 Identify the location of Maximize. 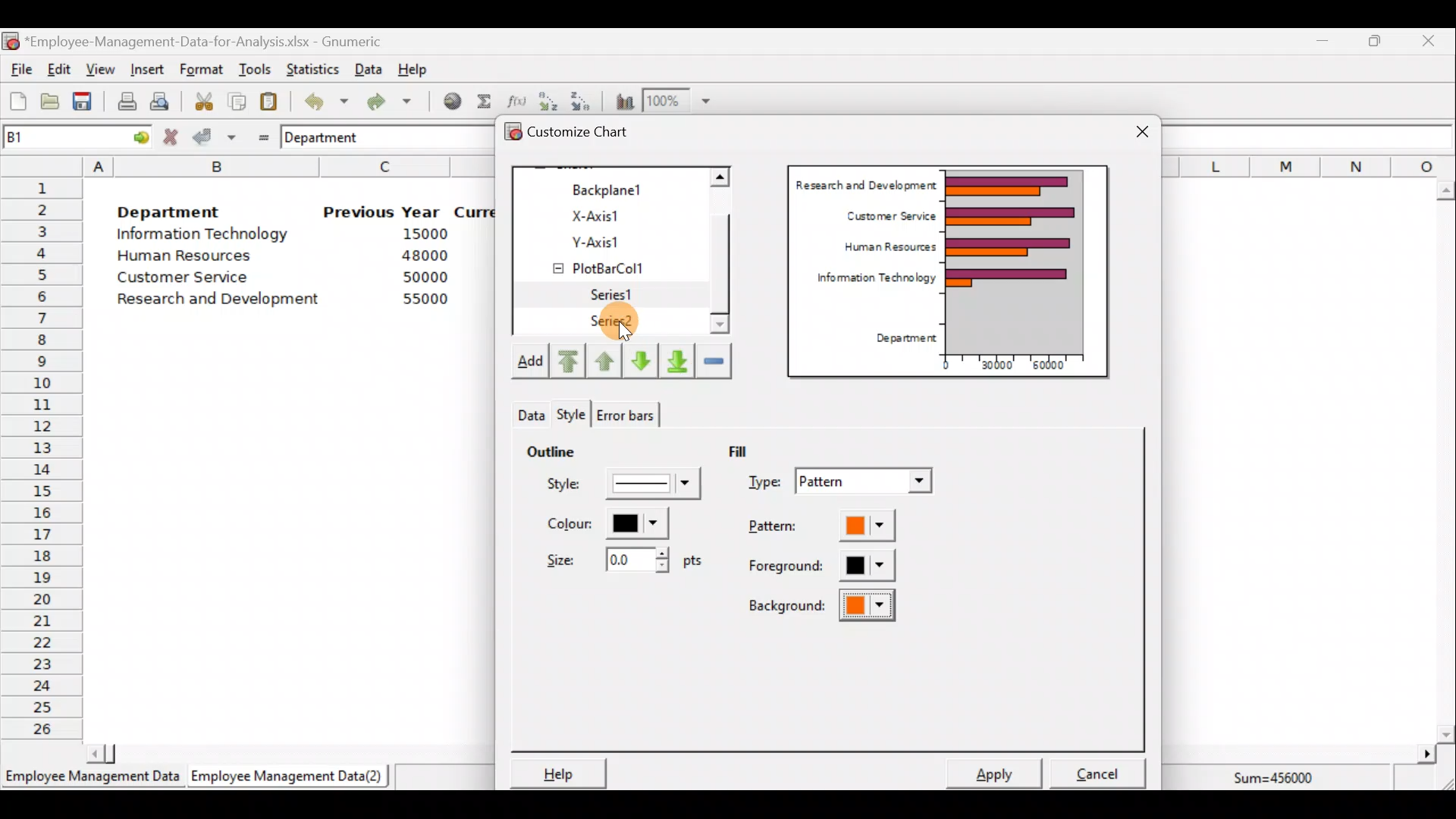
(1375, 40).